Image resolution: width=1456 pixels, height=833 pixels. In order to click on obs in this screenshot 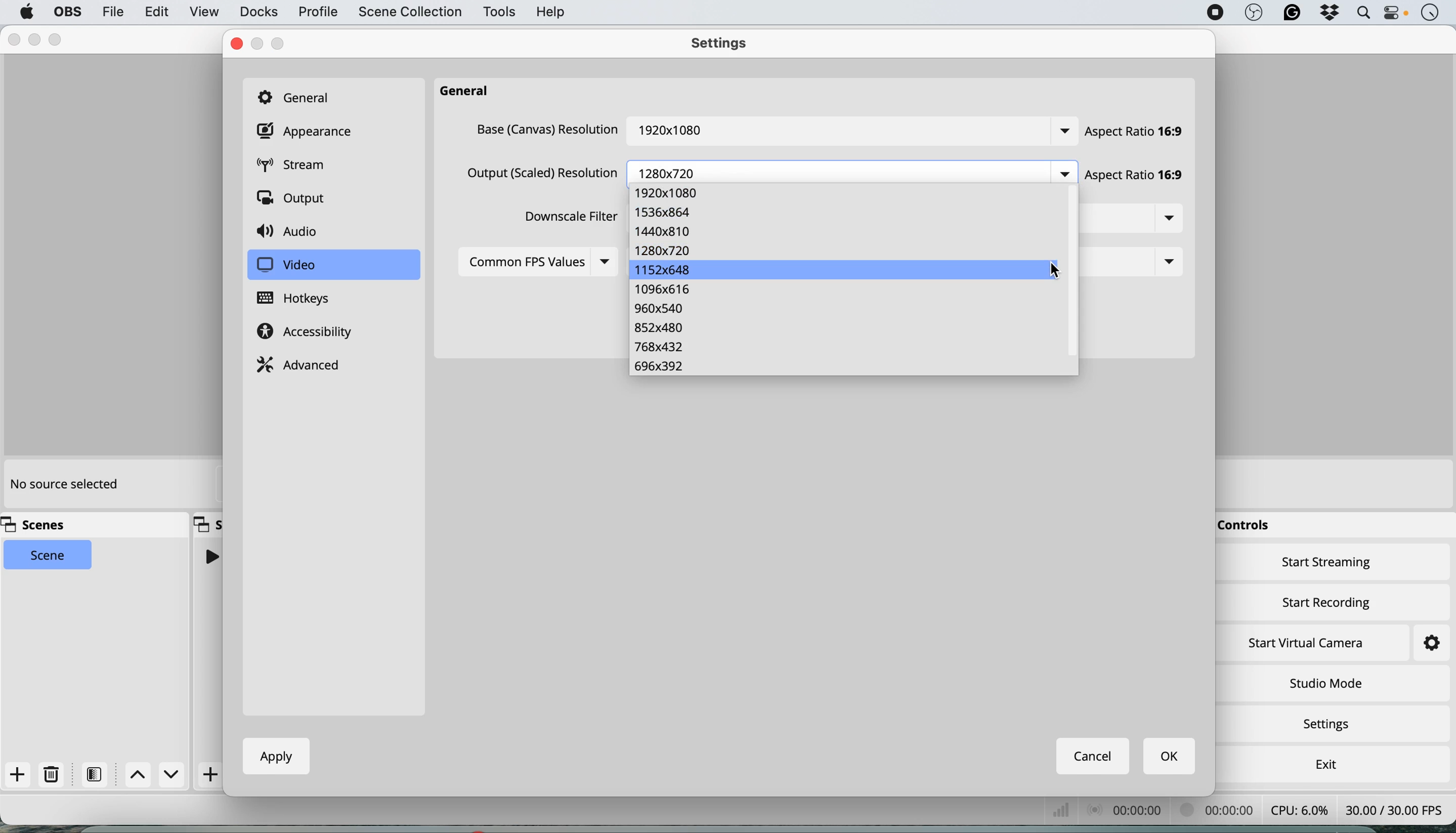, I will do `click(1254, 13)`.